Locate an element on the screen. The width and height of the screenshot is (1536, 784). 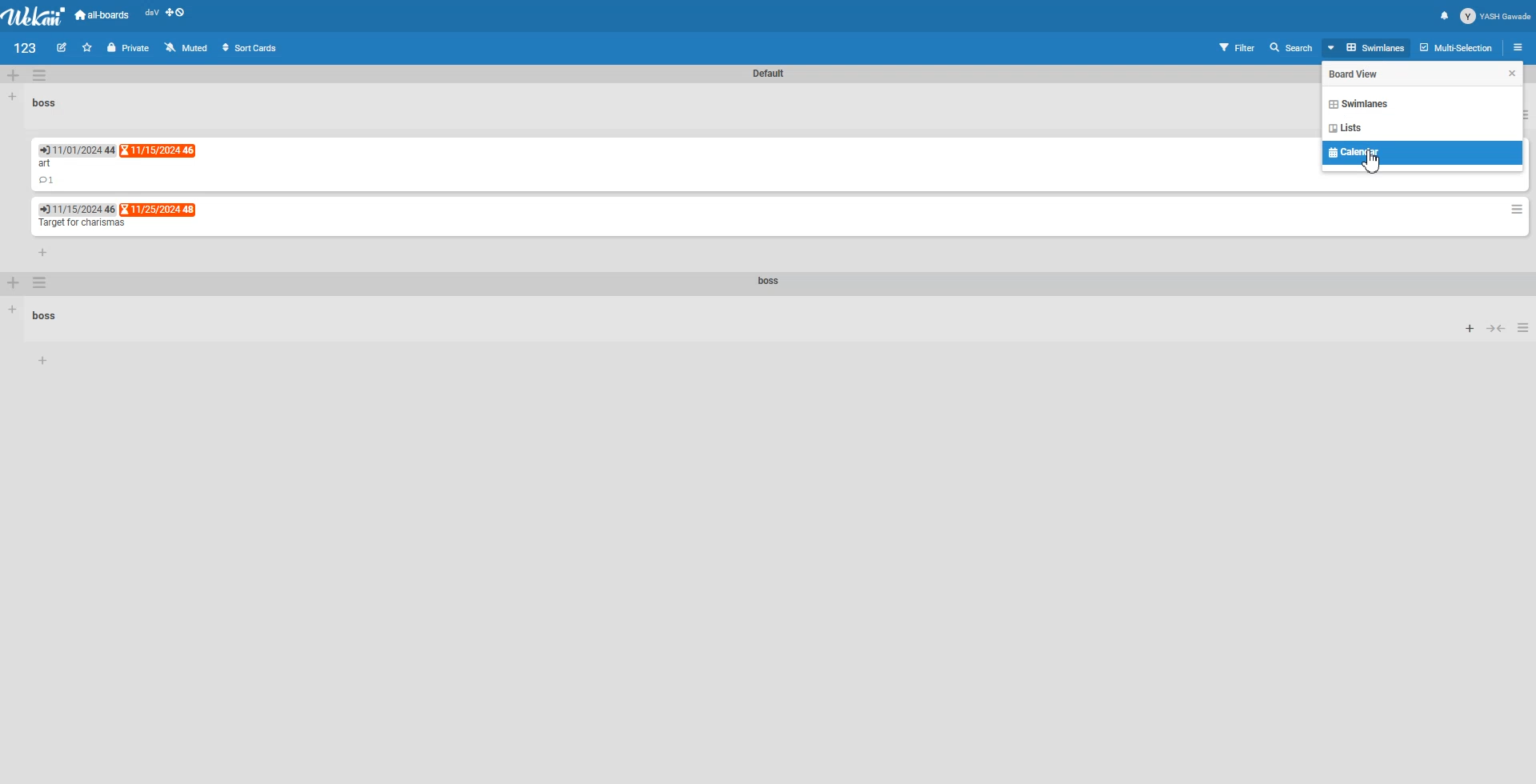
Cursor is located at coordinates (1372, 161).